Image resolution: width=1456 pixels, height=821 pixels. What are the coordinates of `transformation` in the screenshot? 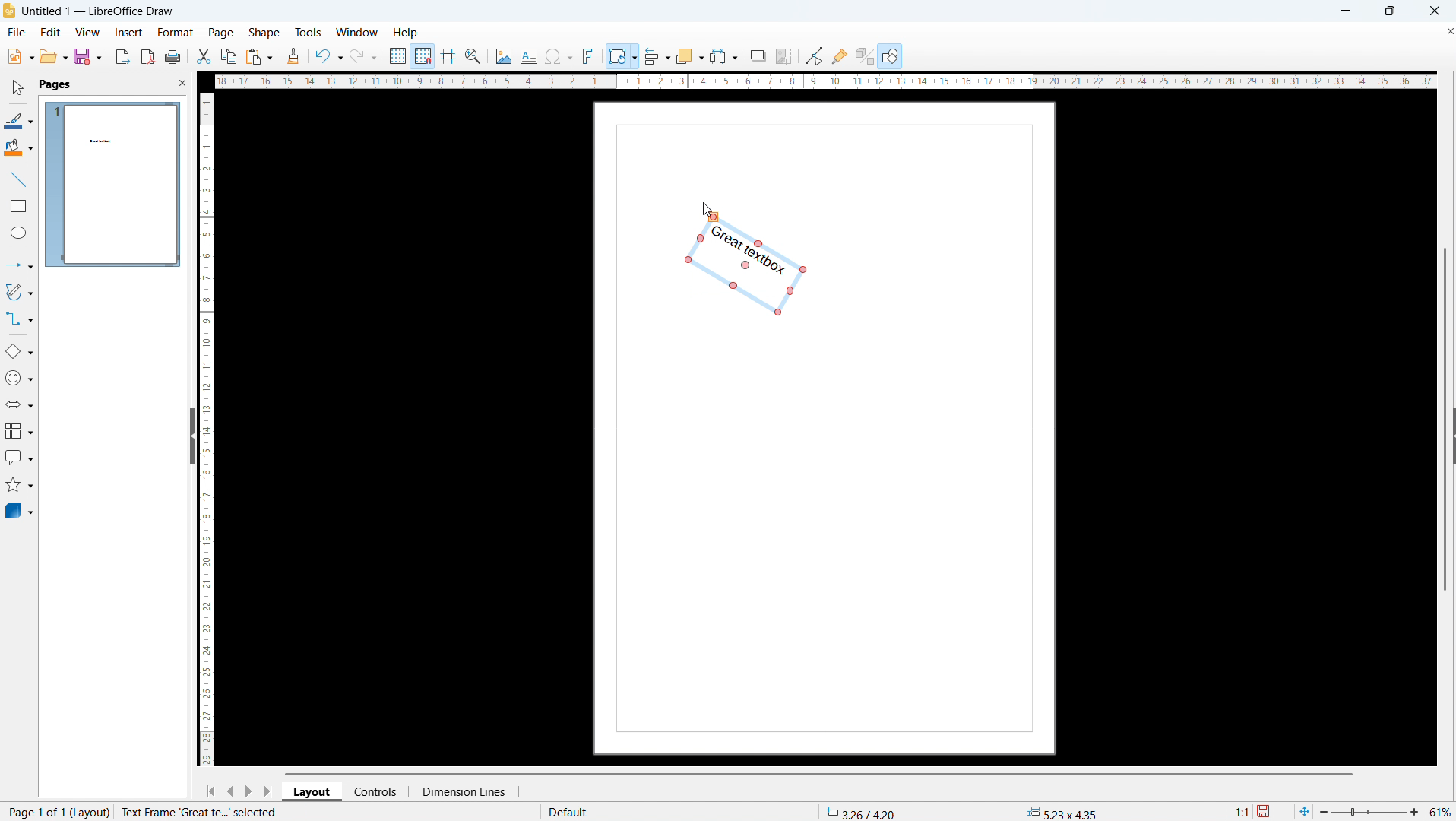 It's located at (622, 55).